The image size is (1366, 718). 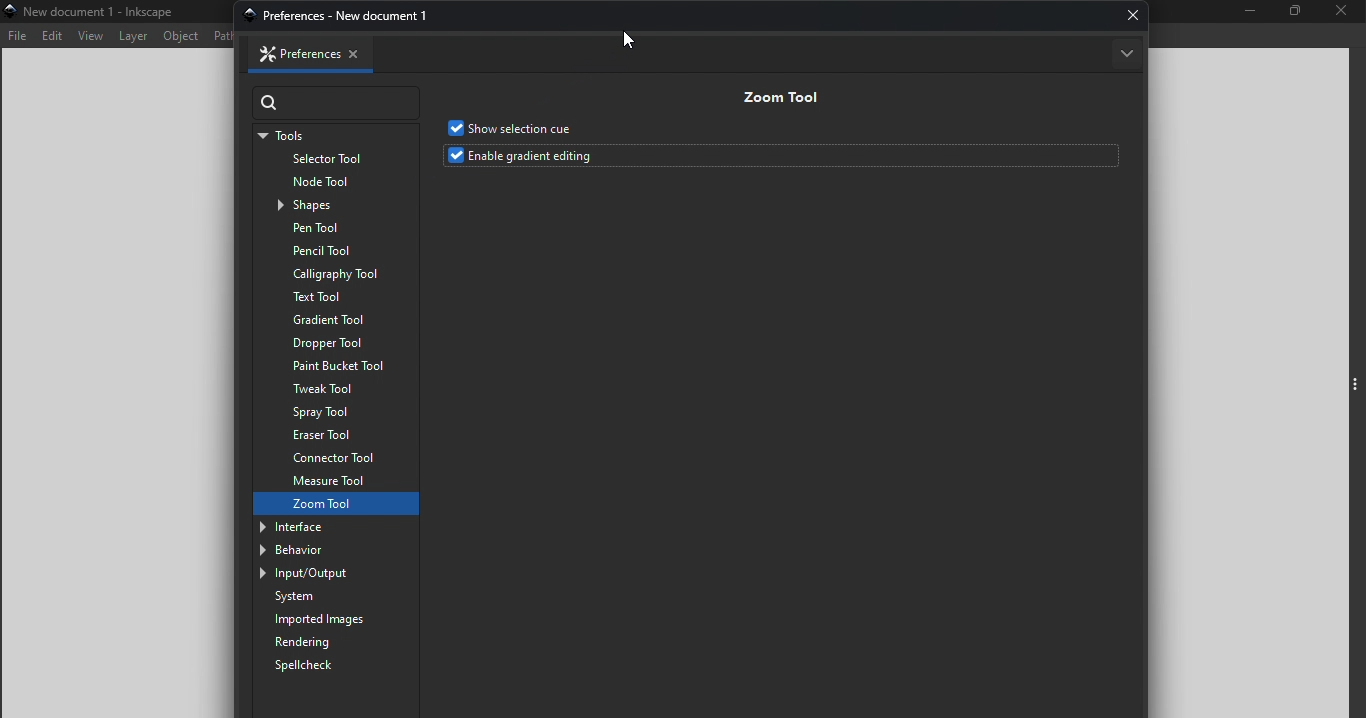 What do you see at coordinates (1135, 19) in the screenshot?
I see `Close` at bounding box center [1135, 19].